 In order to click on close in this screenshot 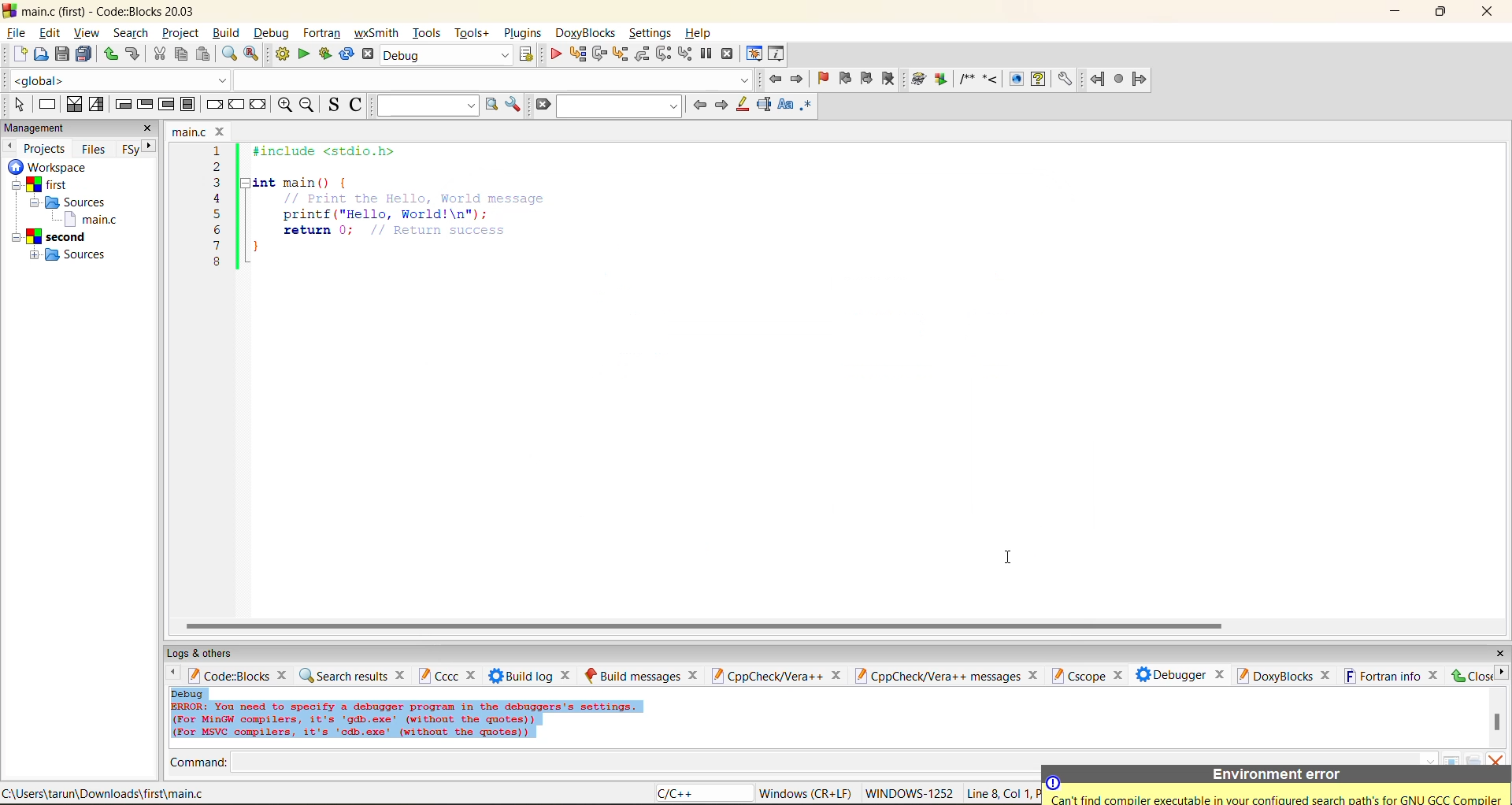, I will do `click(1326, 676)`.